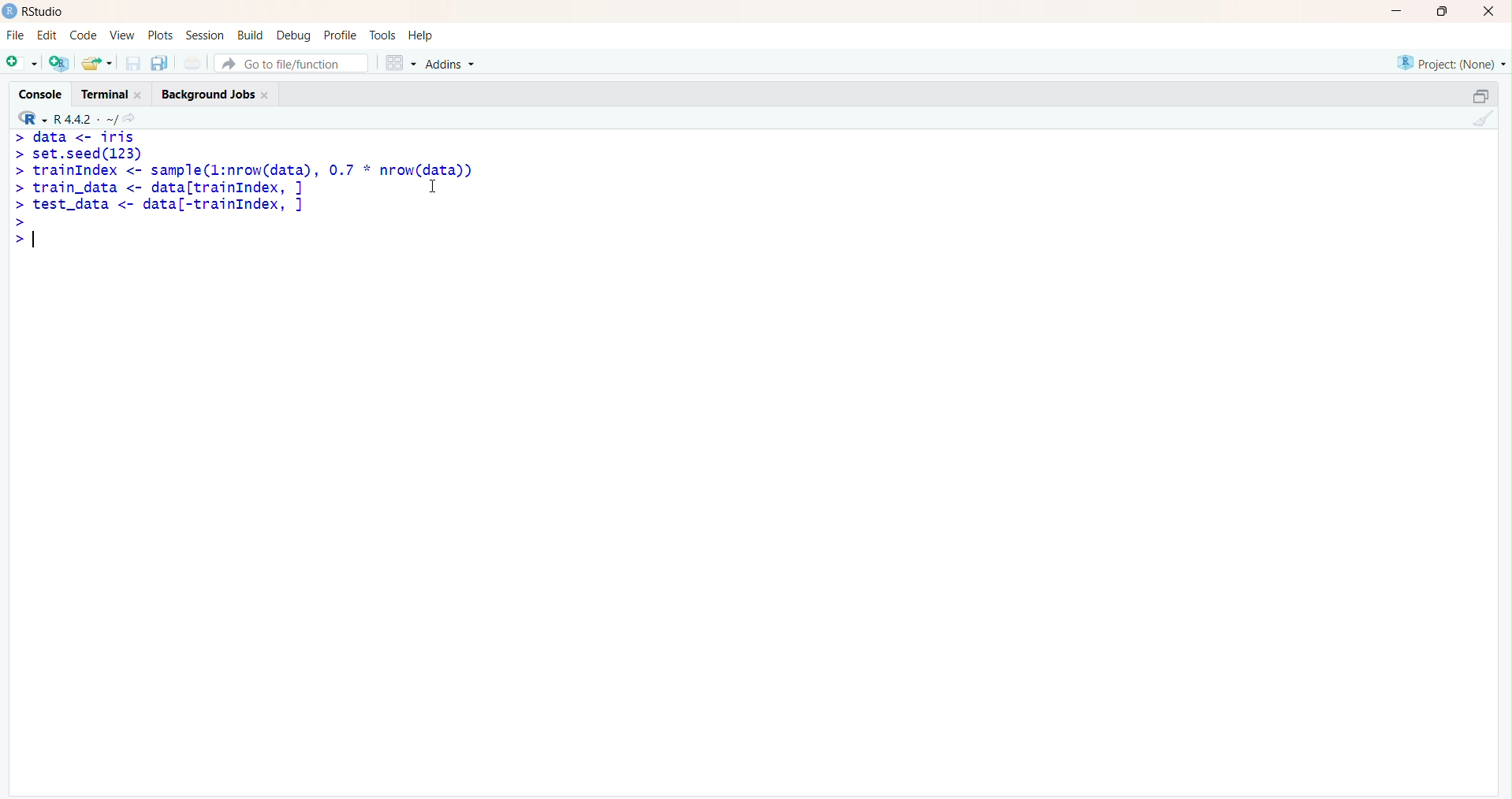 The height and width of the screenshot is (799, 1512). Describe the element at coordinates (37, 11) in the screenshot. I see `RStudio` at that location.